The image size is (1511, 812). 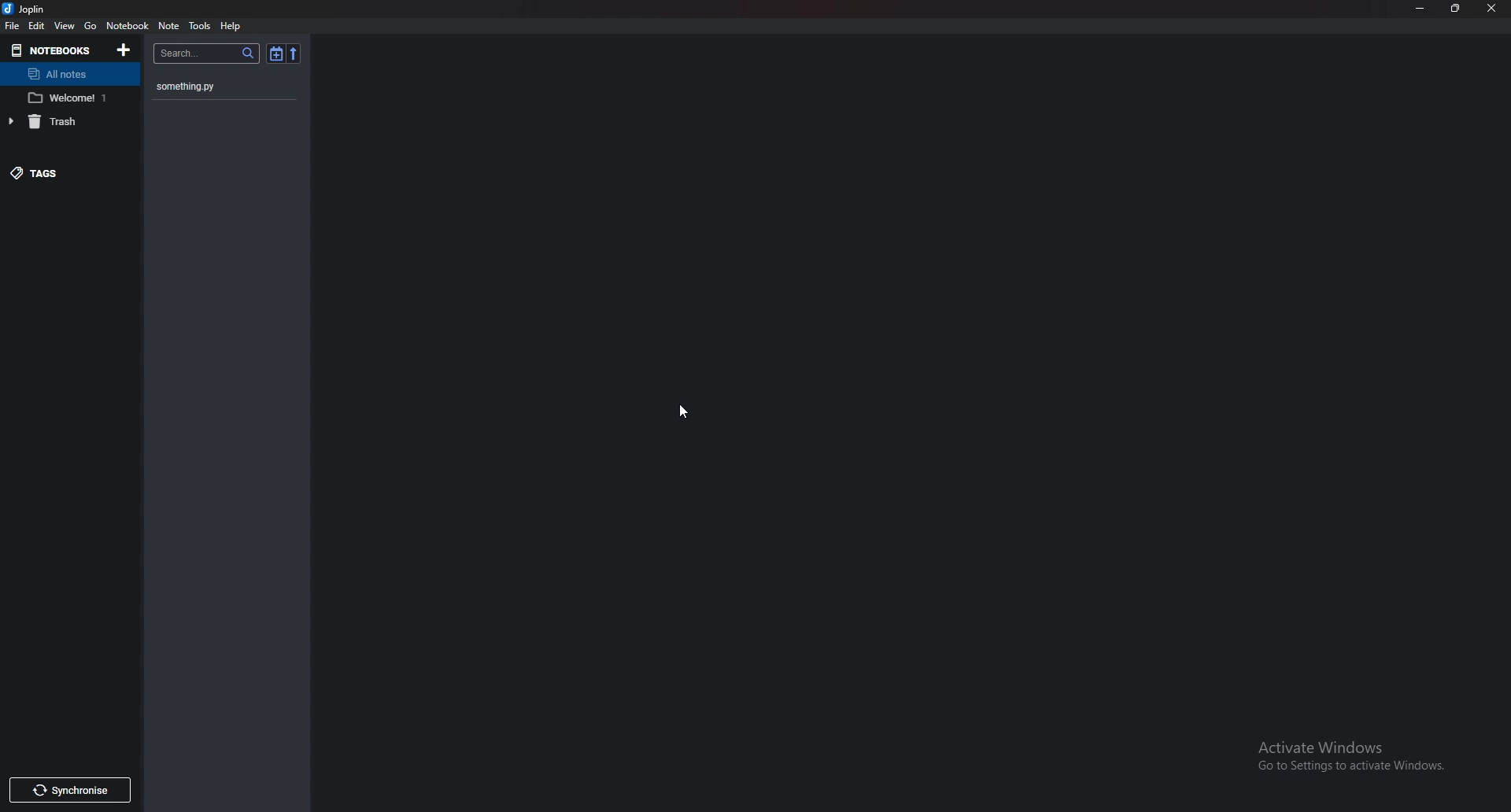 I want to click on File, so click(x=13, y=27).